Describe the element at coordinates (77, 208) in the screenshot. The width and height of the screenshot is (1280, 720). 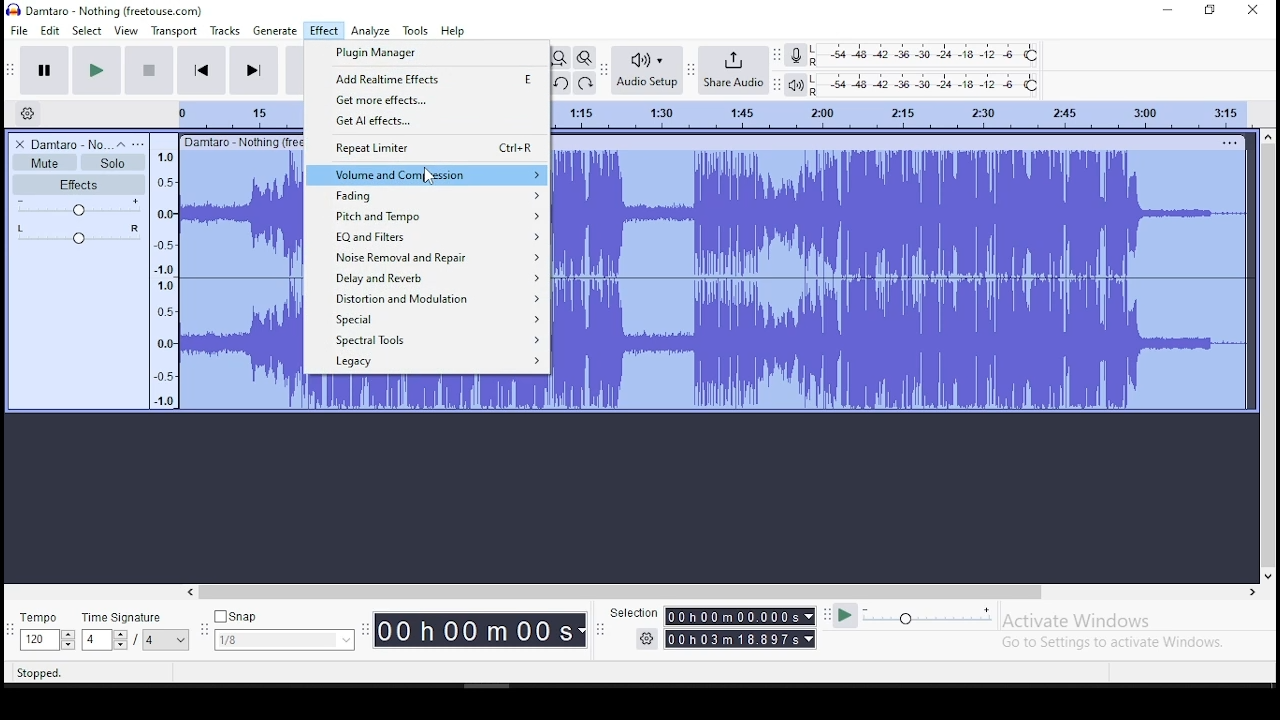
I see `volume` at that location.